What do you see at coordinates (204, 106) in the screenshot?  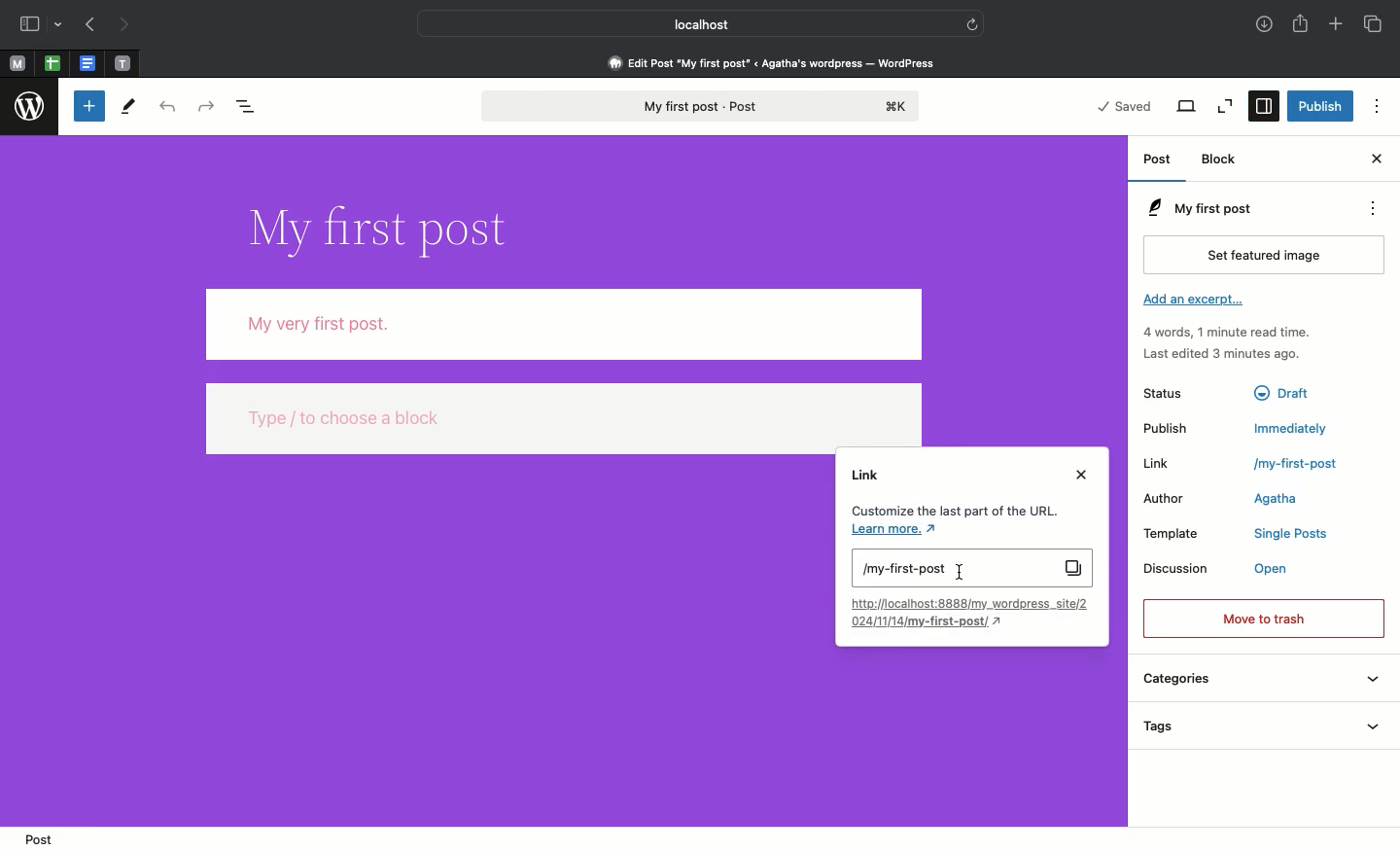 I see `Redo` at bounding box center [204, 106].